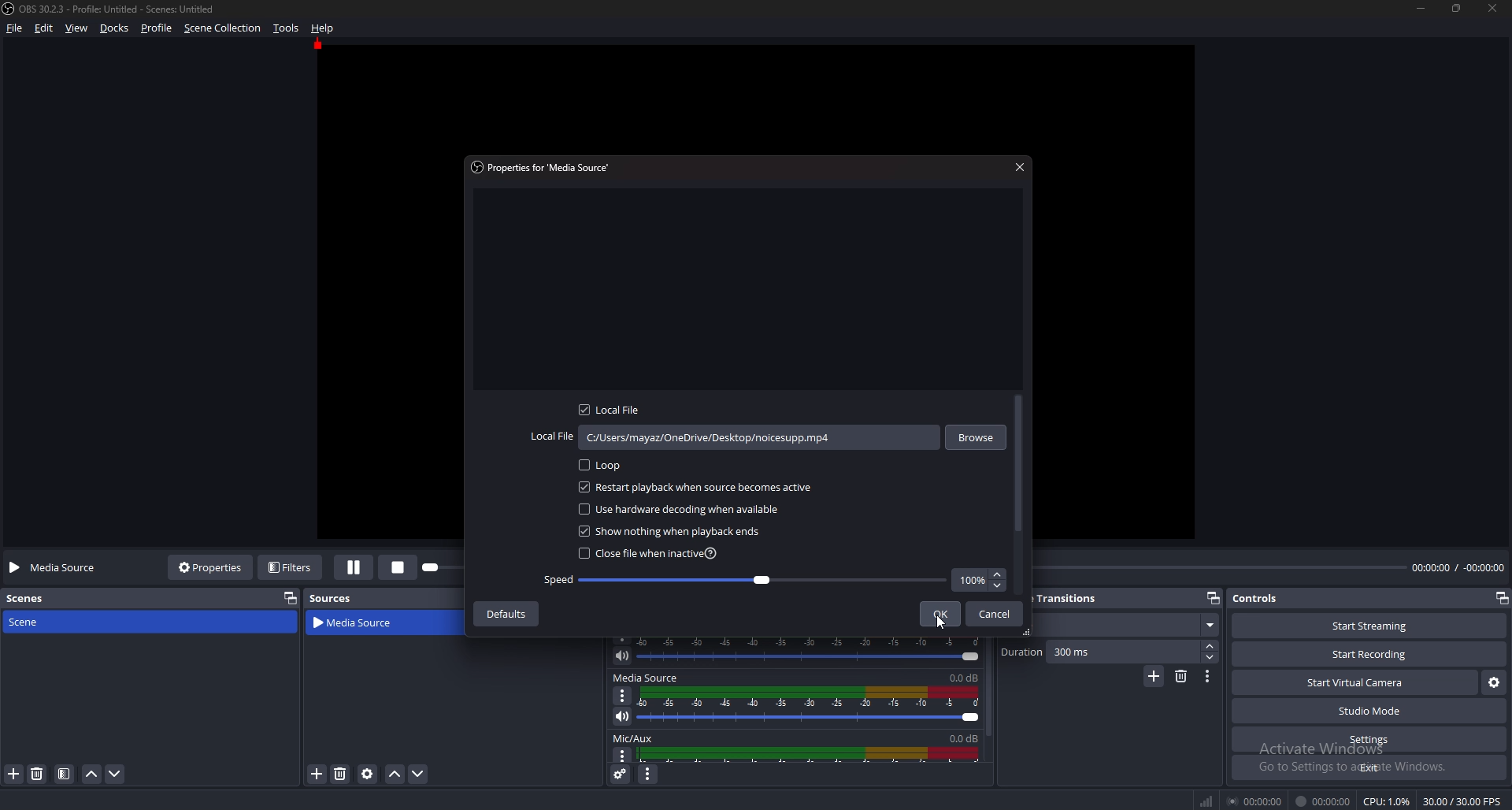  I want to click on Scene collection, so click(223, 28).